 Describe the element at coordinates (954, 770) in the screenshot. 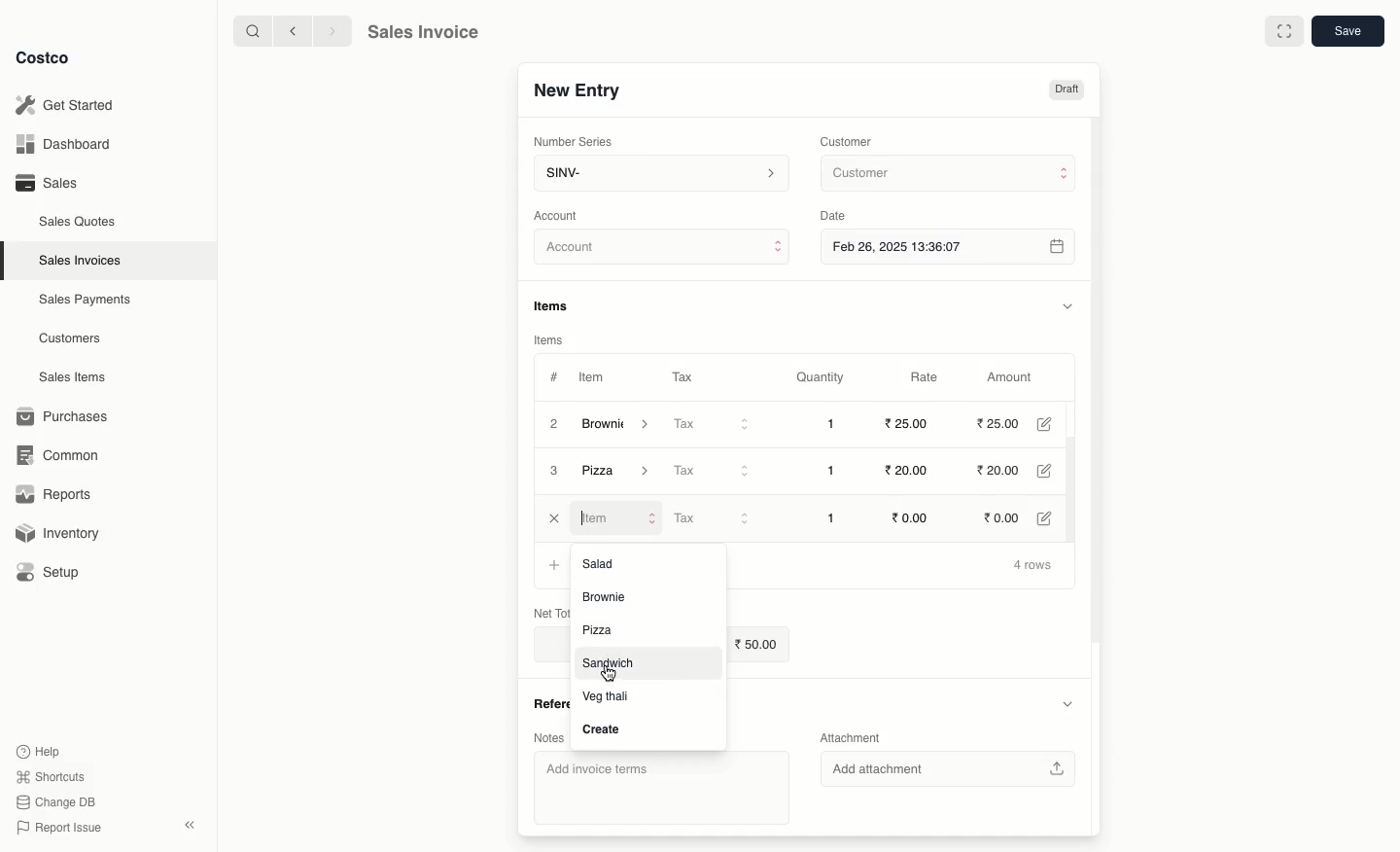

I see `‘Add attachment` at that location.